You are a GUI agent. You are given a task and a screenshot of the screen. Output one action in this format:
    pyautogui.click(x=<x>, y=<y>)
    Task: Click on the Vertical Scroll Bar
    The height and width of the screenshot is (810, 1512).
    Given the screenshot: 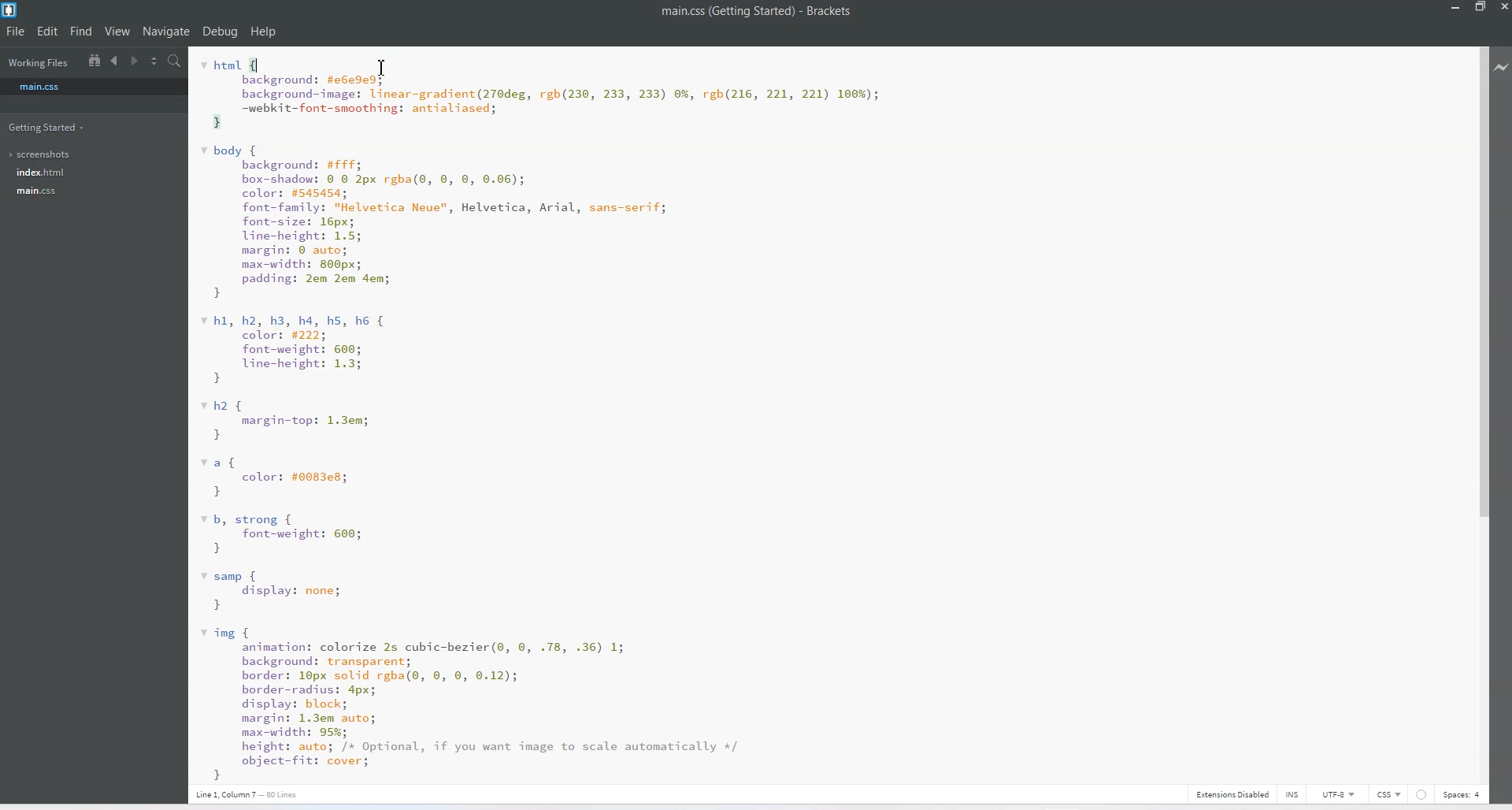 What is the action you would take?
    pyautogui.click(x=1479, y=411)
    